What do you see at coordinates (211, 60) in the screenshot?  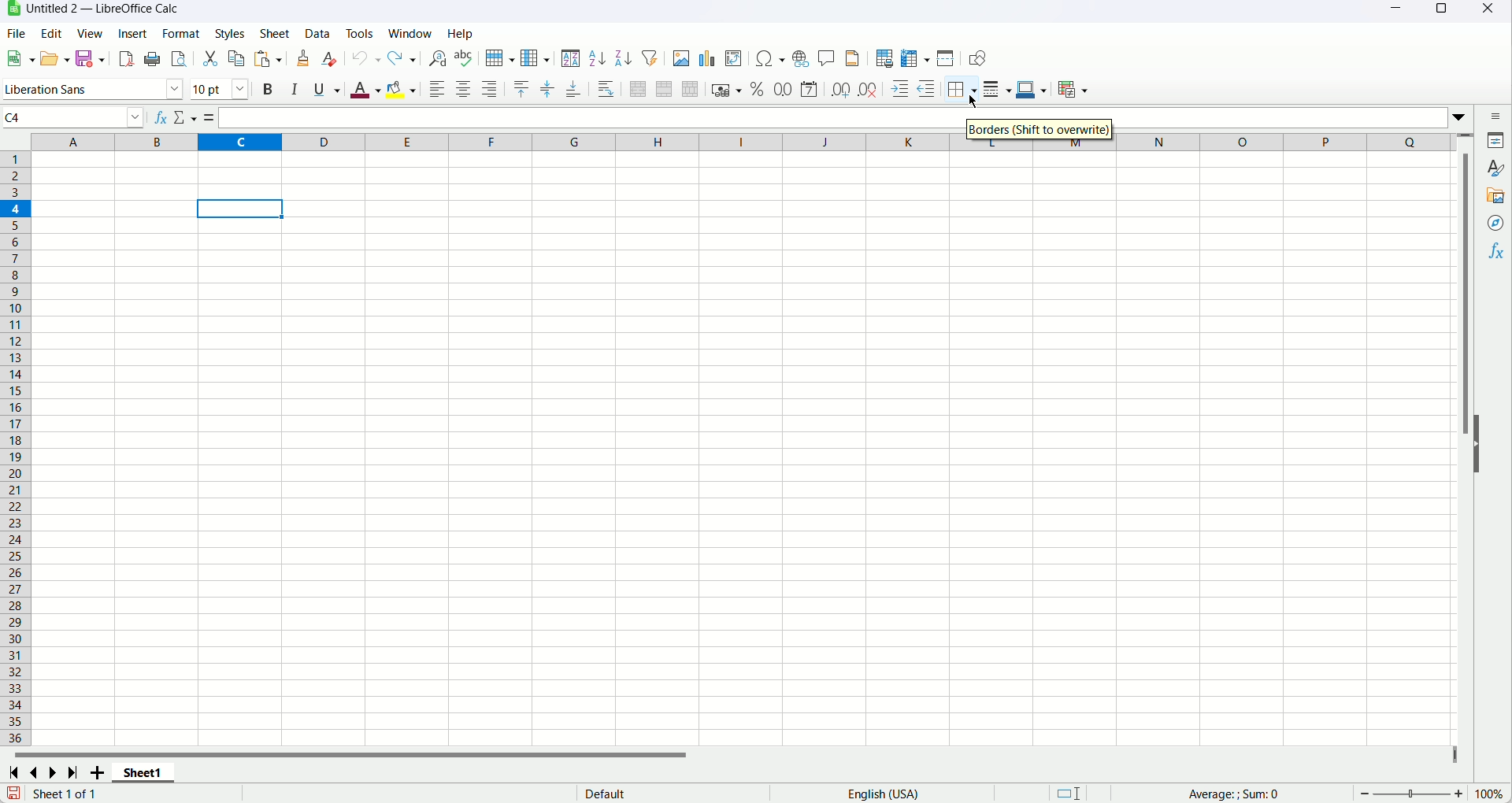 I see `Cut` at bounding box center [211, 60].